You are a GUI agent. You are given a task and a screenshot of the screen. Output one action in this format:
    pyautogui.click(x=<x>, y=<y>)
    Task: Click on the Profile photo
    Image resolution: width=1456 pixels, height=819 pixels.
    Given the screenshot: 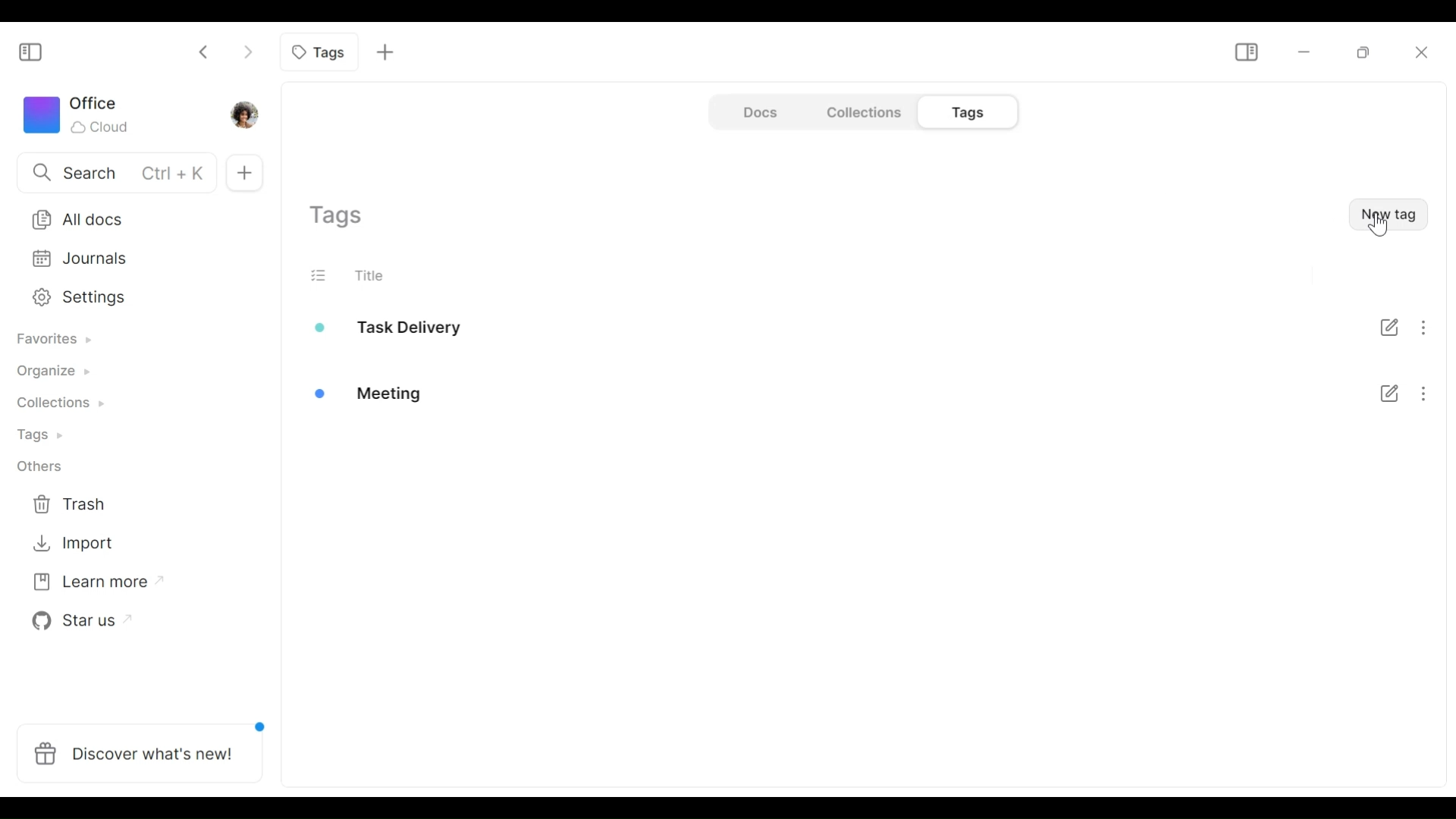 What is the action you would take?
    pyautogui.click(x=242, y=114)
    